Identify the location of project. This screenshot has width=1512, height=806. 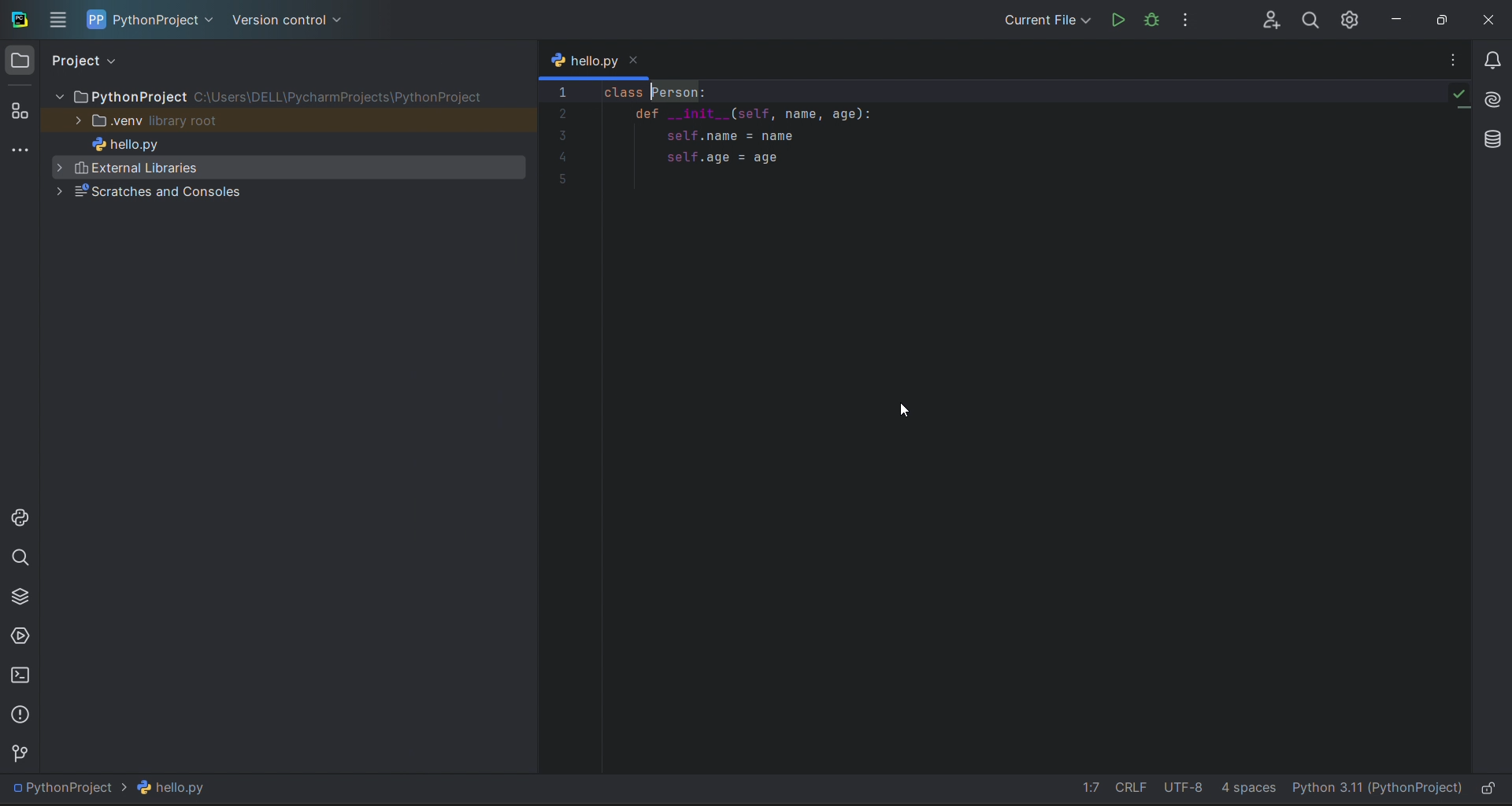
(150, 20).